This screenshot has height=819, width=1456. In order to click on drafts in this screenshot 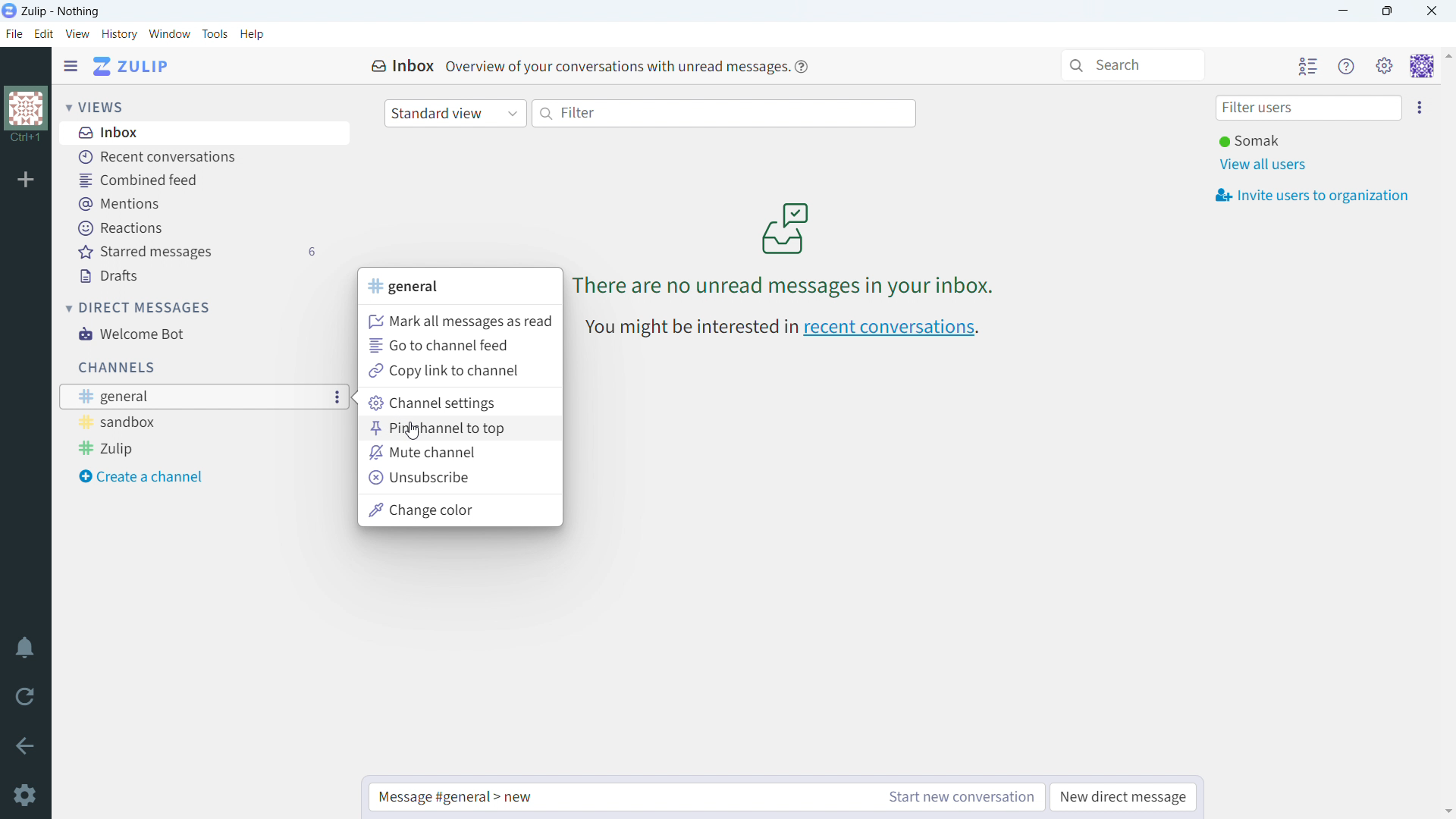, I will do `click(196, 277)`.